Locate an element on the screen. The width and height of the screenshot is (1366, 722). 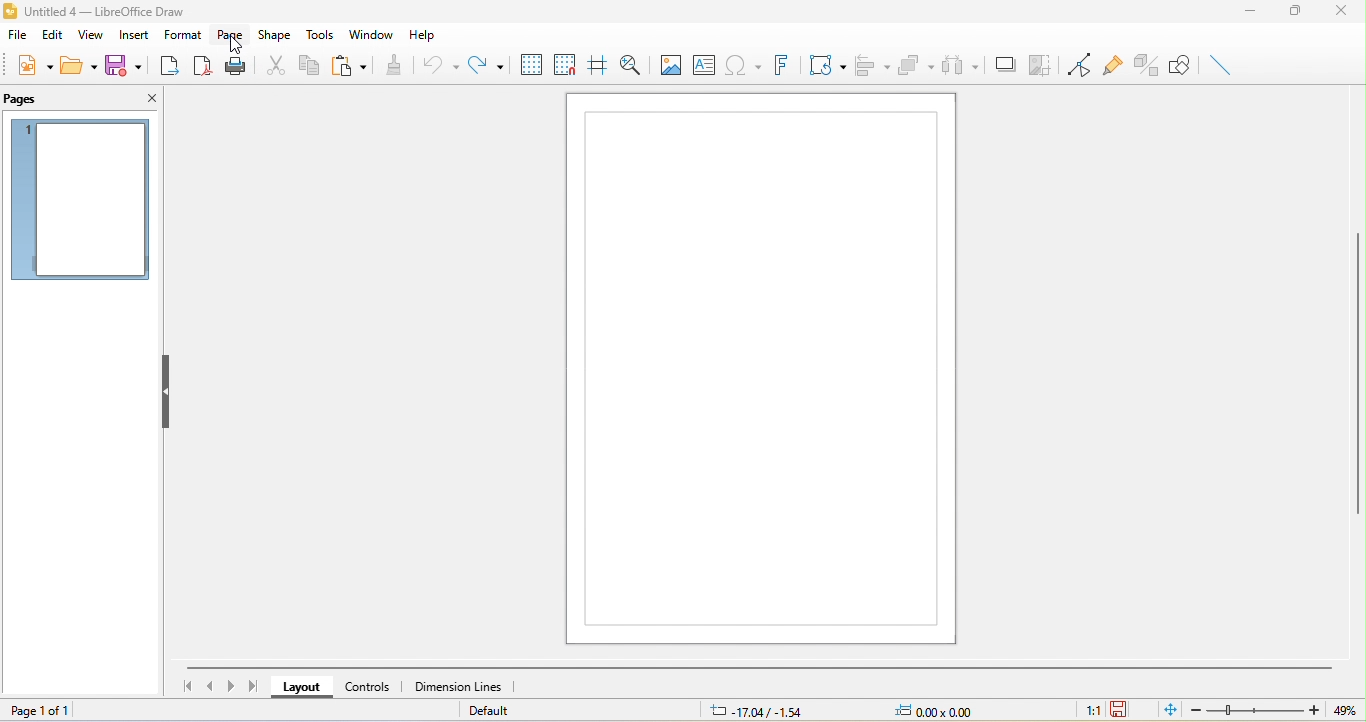
window is located at coordinates (370, 34).